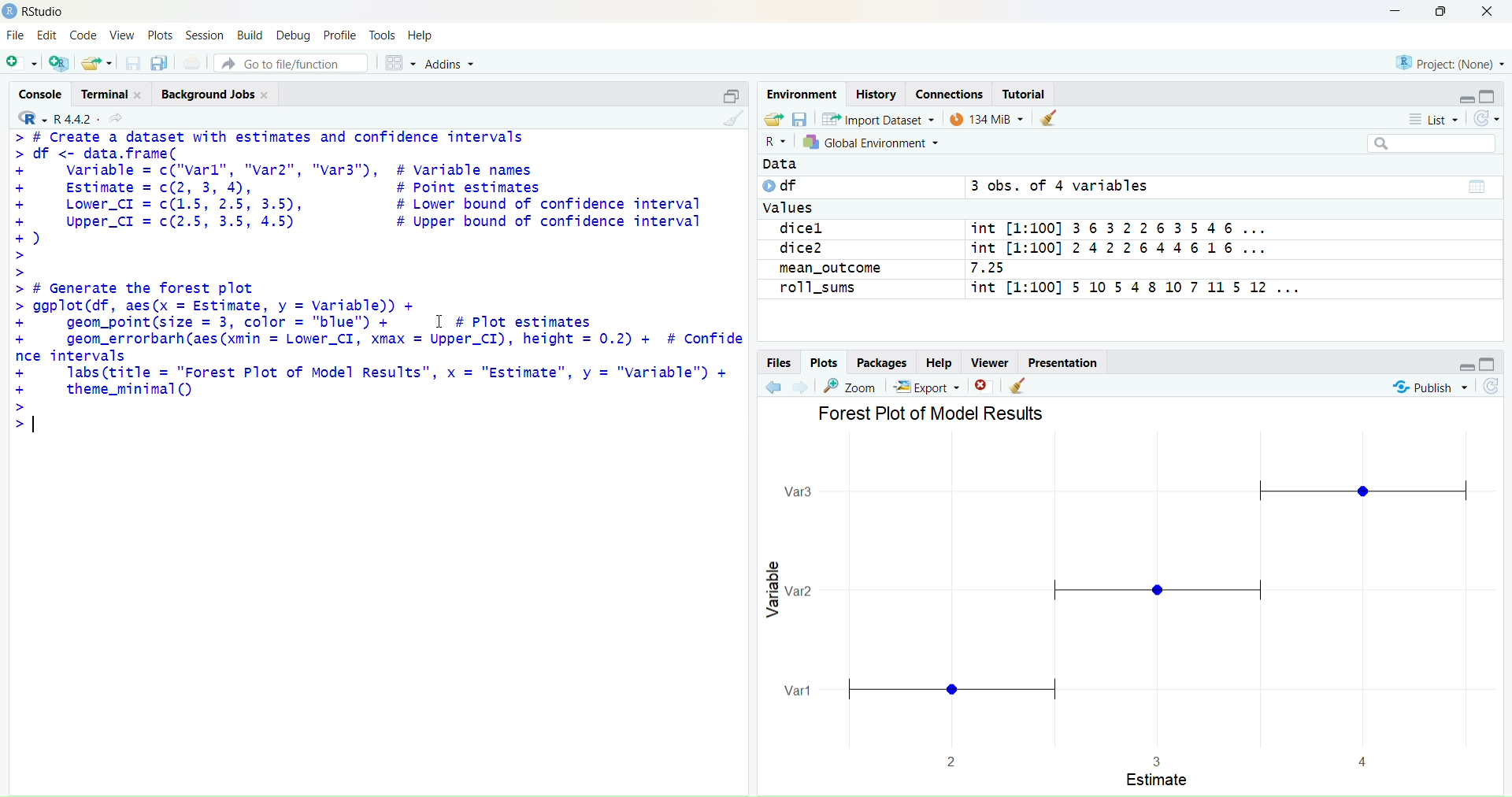 The image size is (1512, 797). Describe the element at coordinates (1019, 228) in the screenshot. I see `dicel int [1:100] 36 32263546 ...` at that location.